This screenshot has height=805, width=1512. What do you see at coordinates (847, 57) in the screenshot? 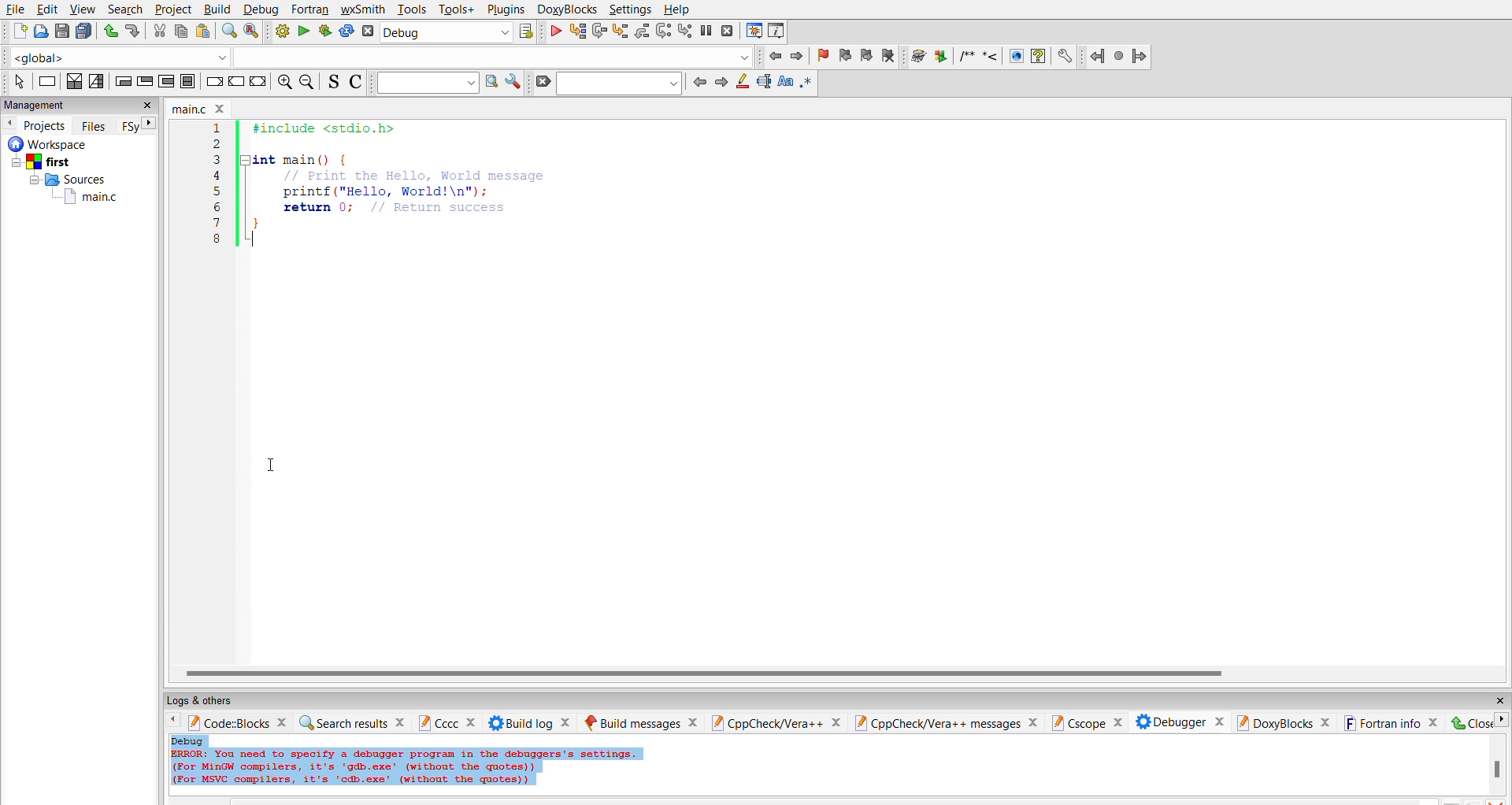
I see `pervious bookmark` at bounding box center [847, 57].